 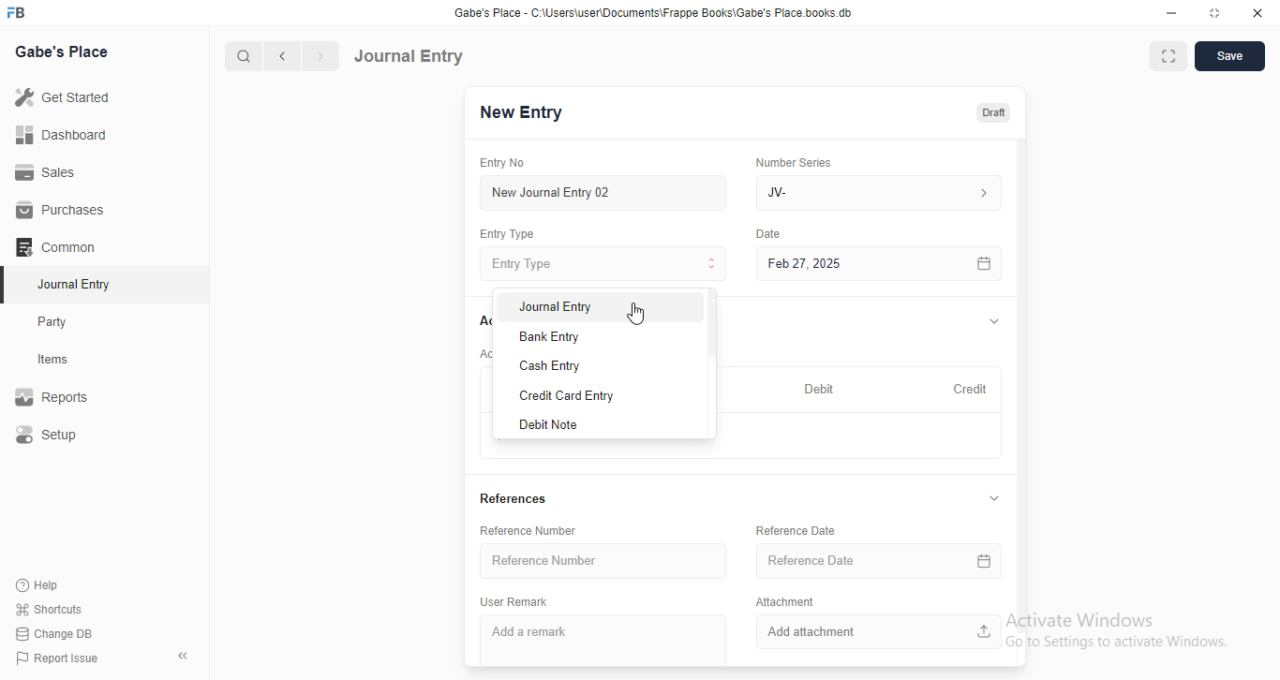 What do you see at coordinates (550, 365) in the screenshot?
I see `Cash Entry` at bounding box center [550, 365].